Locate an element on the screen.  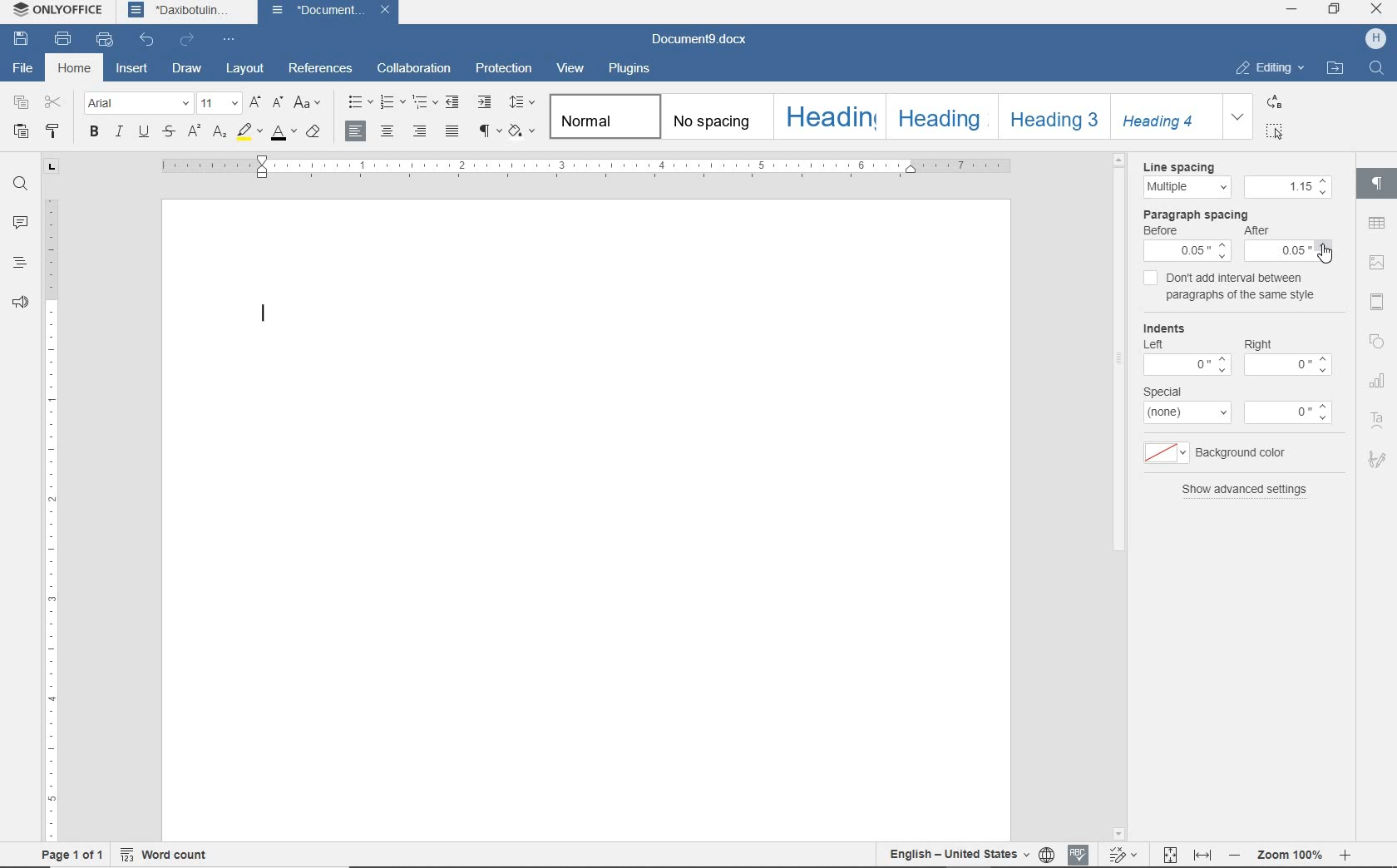
underline is located at coordinates (143, 133).